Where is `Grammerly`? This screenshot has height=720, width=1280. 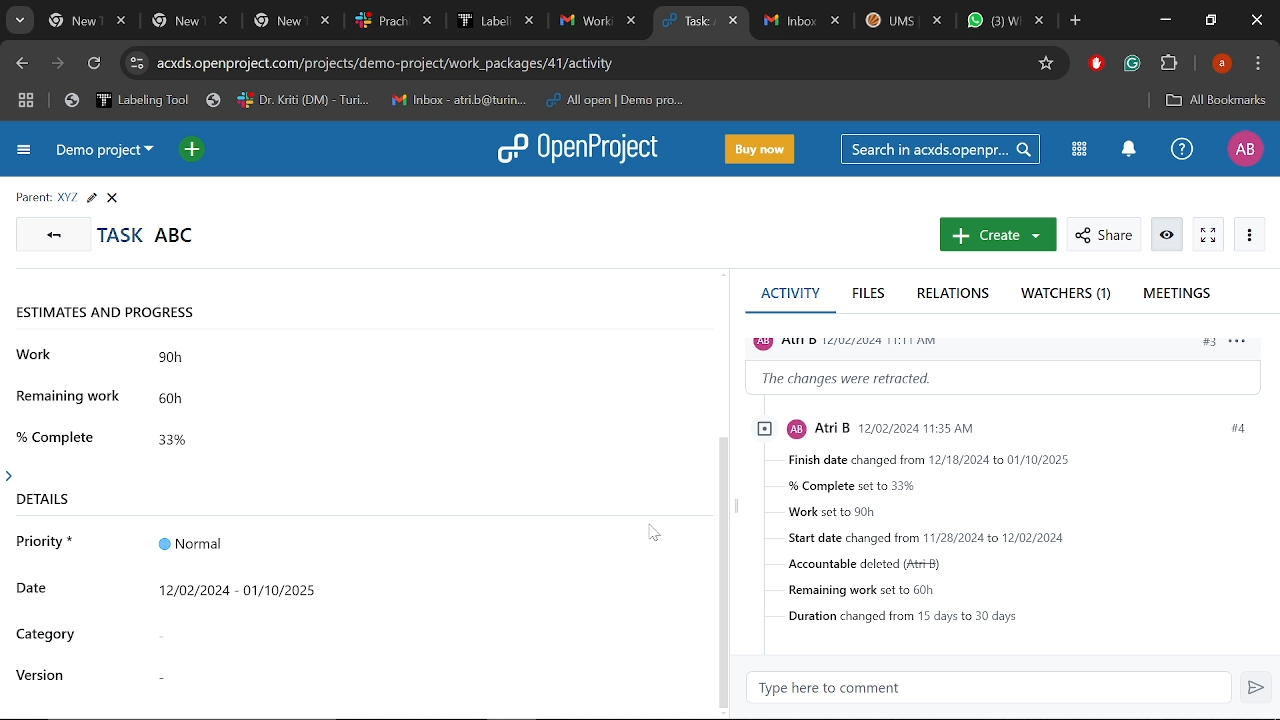
Grammerly is located at coordinates (1132, 64).